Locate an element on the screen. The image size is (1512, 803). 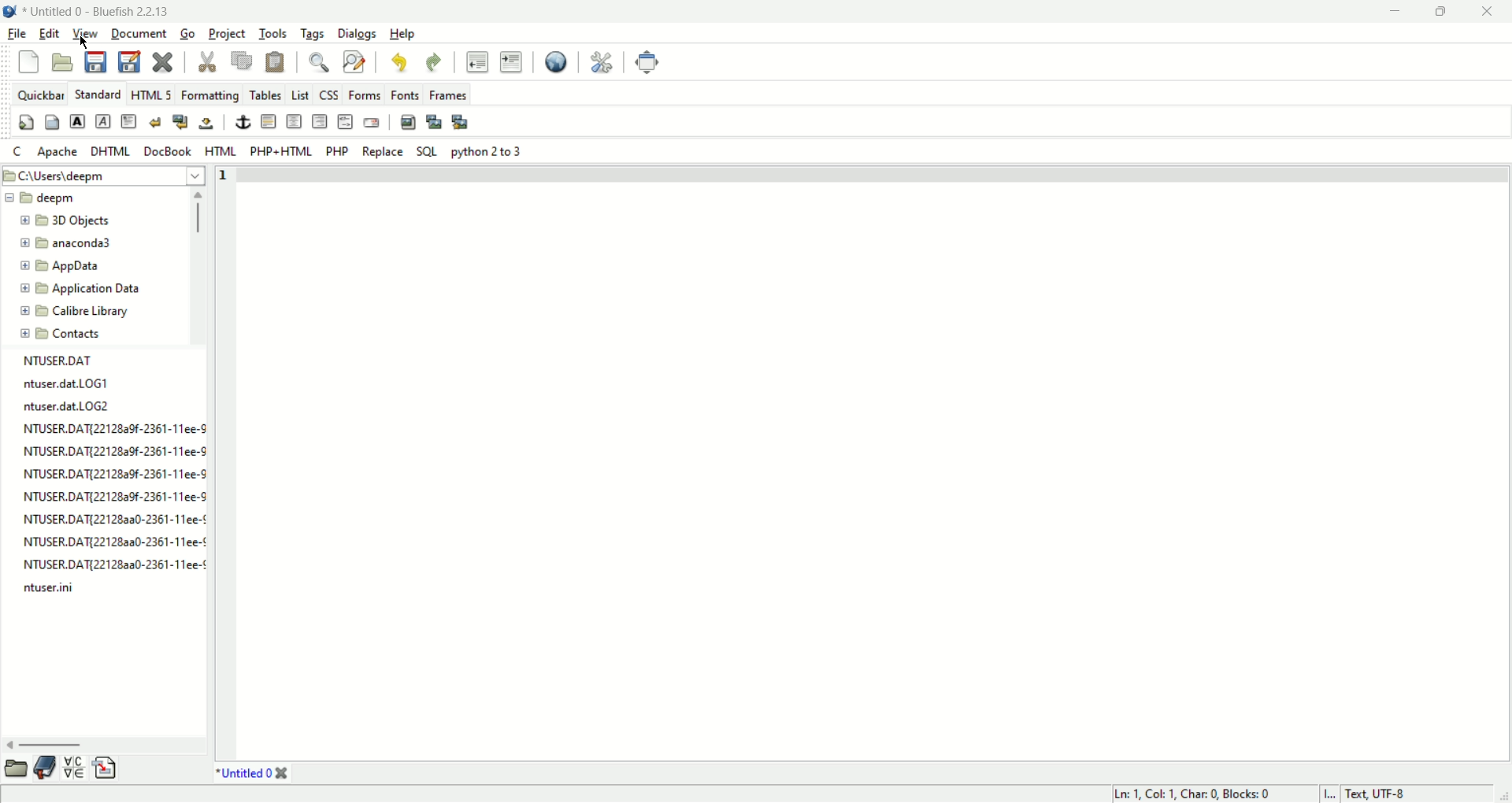
Contacts is located at coordinates (78, 333).